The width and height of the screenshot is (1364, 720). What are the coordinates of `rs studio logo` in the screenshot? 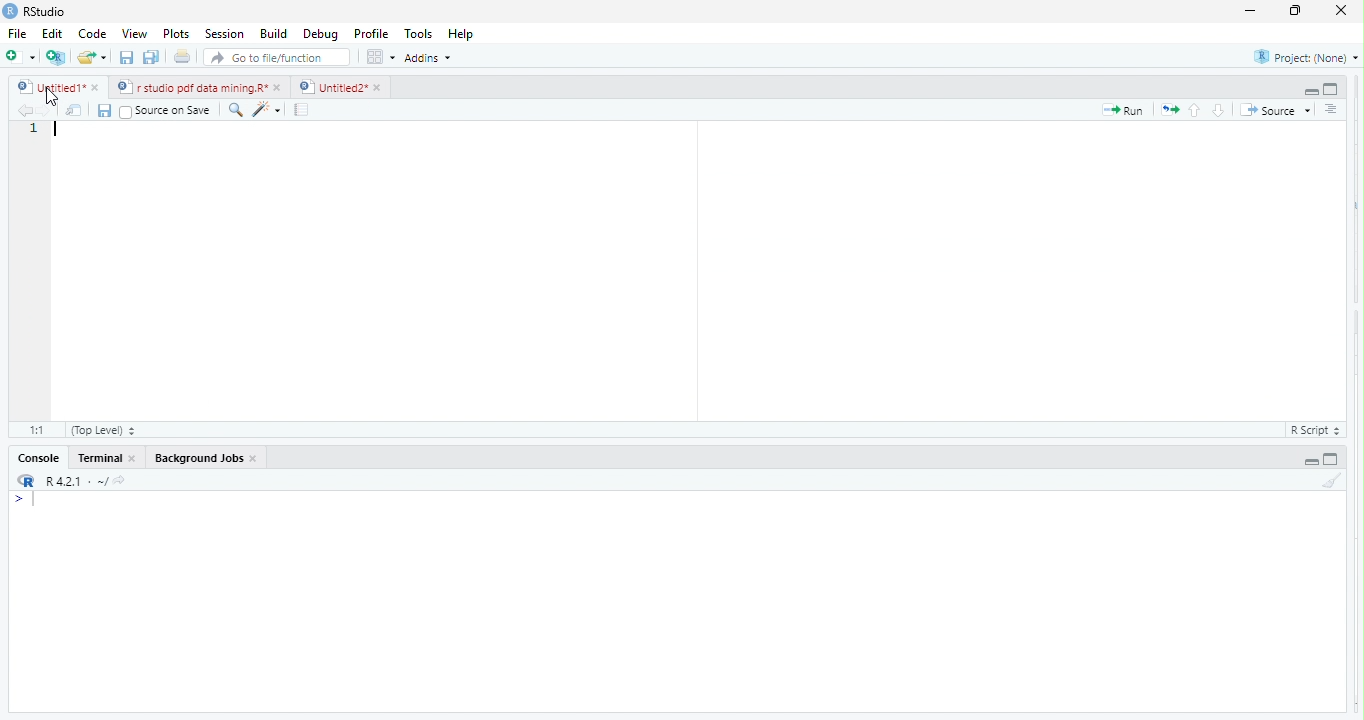 It's located at (10, 10).